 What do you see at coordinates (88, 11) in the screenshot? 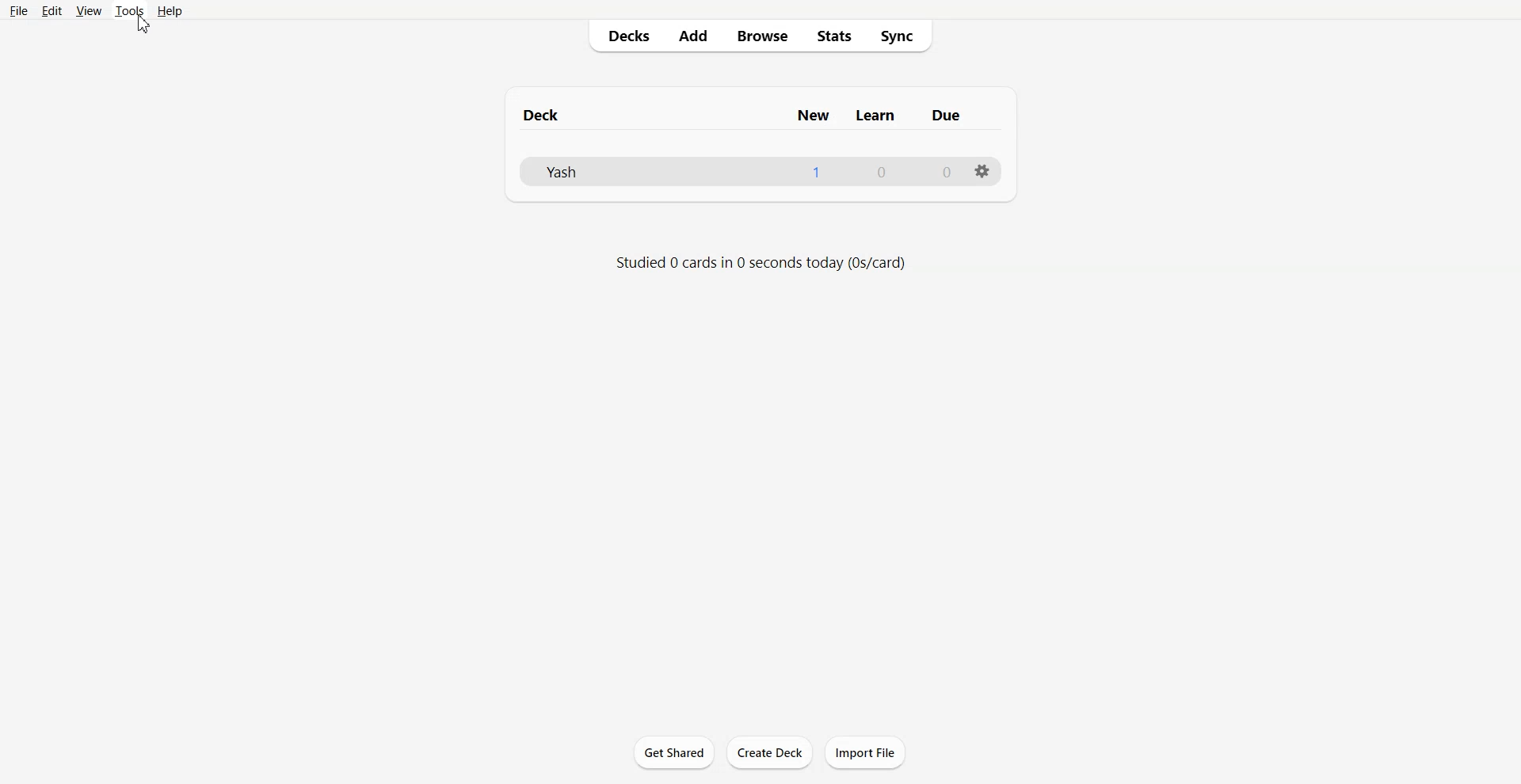
I see `View` at bounding box center [88, 11].